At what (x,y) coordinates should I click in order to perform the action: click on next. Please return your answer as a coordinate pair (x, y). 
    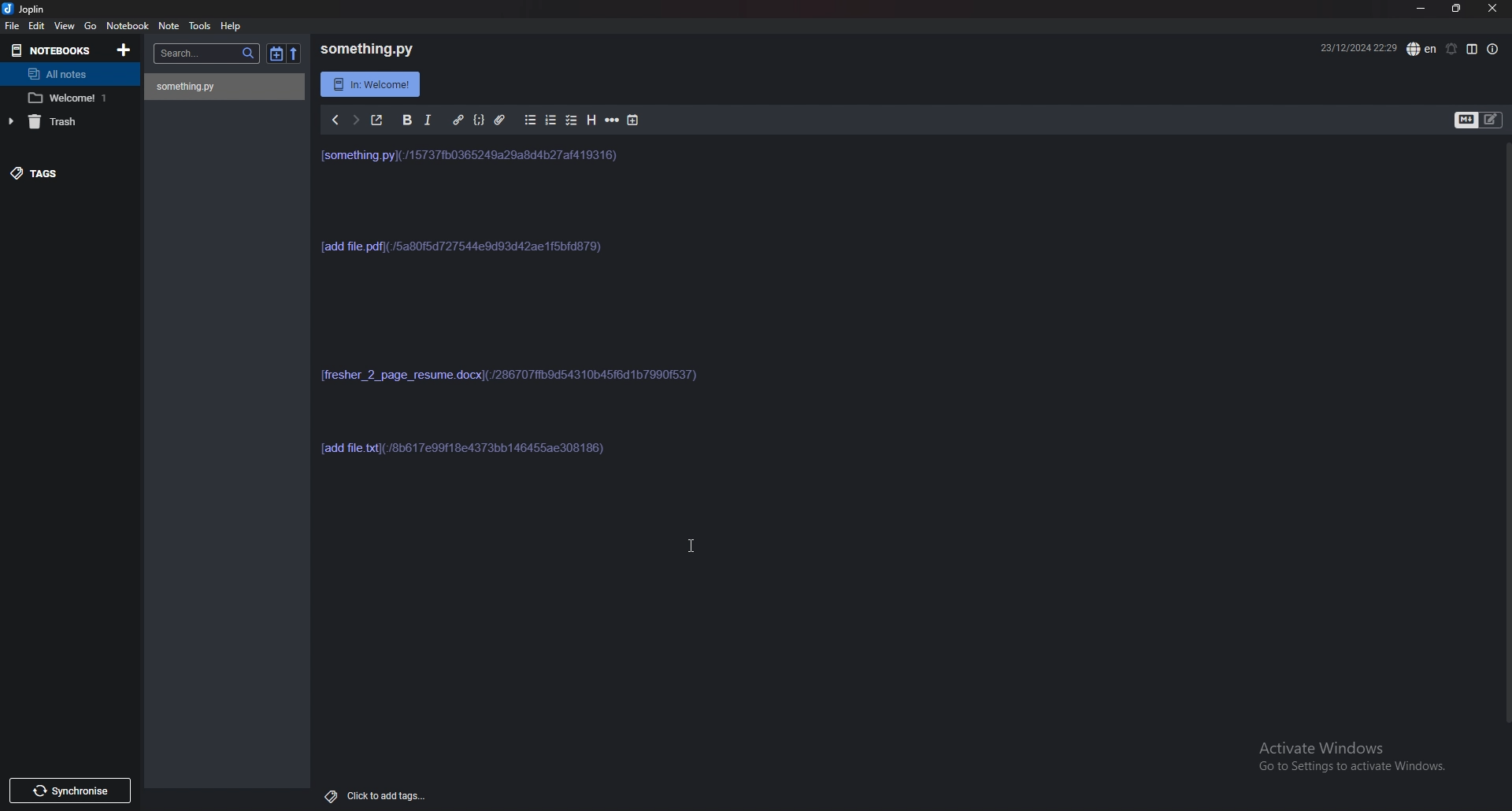
    Looking at the image, I should click on (353, 120).